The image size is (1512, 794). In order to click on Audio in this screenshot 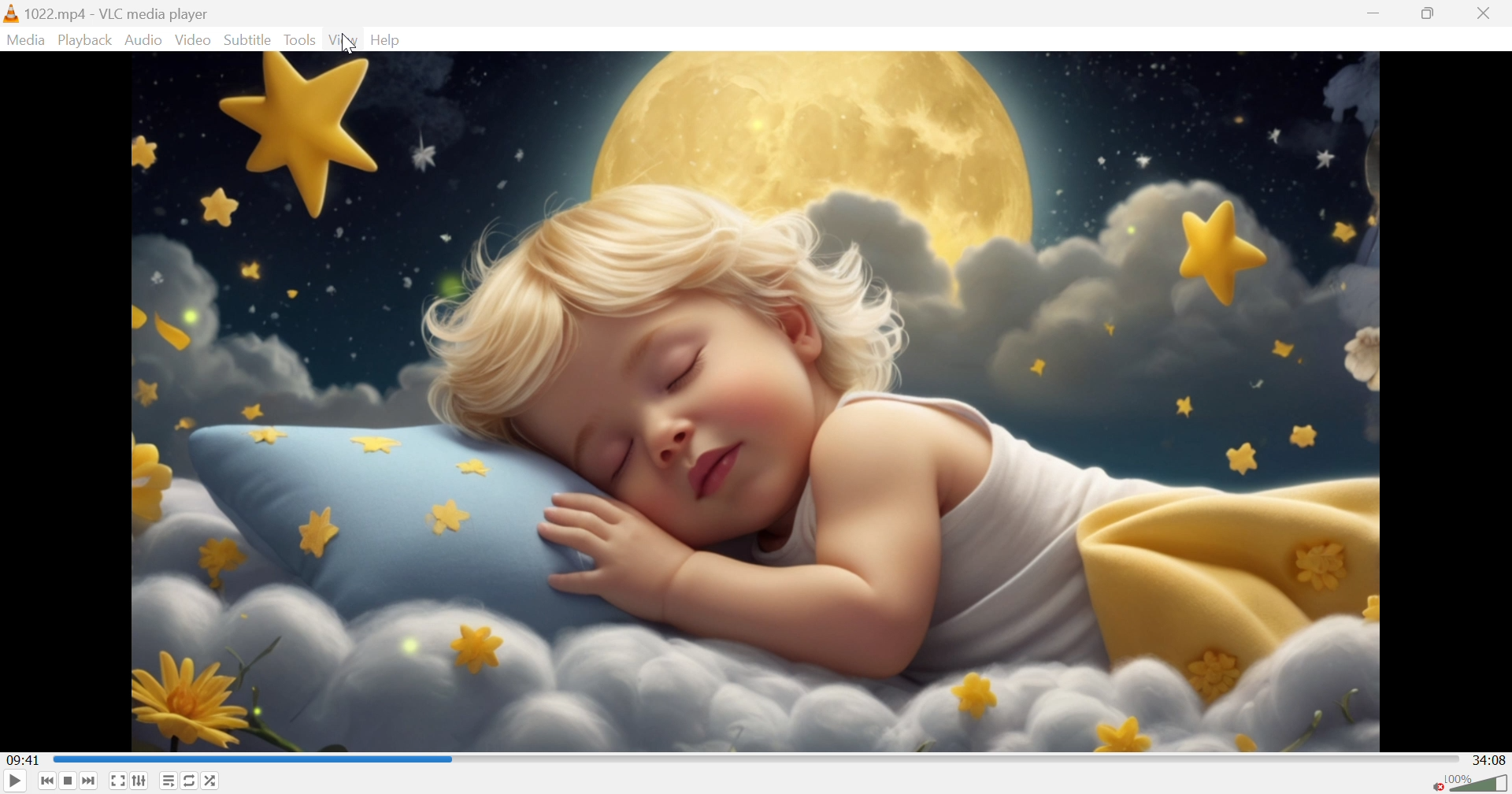, I will do `click(144, 40)`.